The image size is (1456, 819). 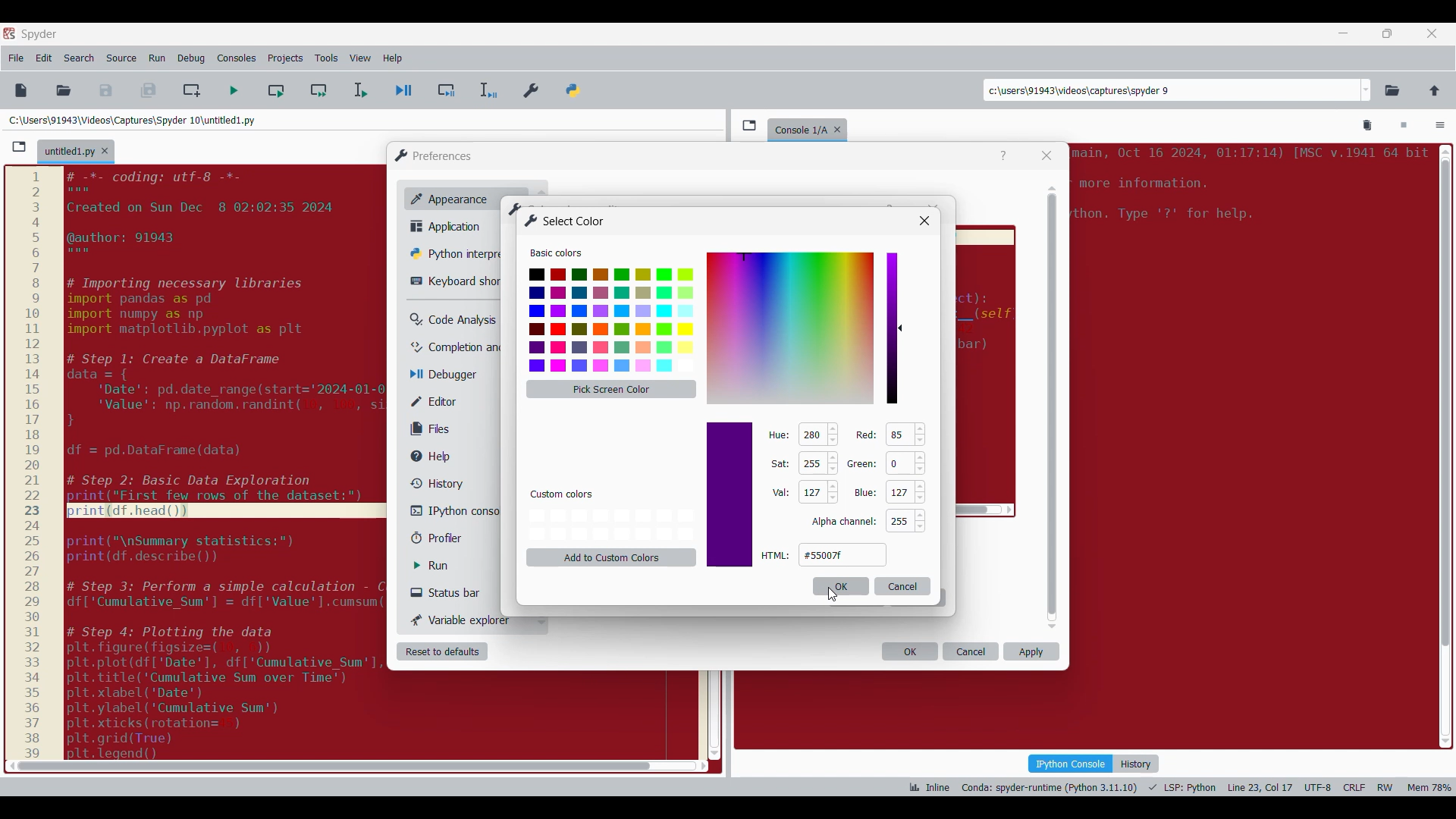 What do you see at coordinates (444, 401) in the screenshot?
I see `Editor` at bounding box center [444, 401].